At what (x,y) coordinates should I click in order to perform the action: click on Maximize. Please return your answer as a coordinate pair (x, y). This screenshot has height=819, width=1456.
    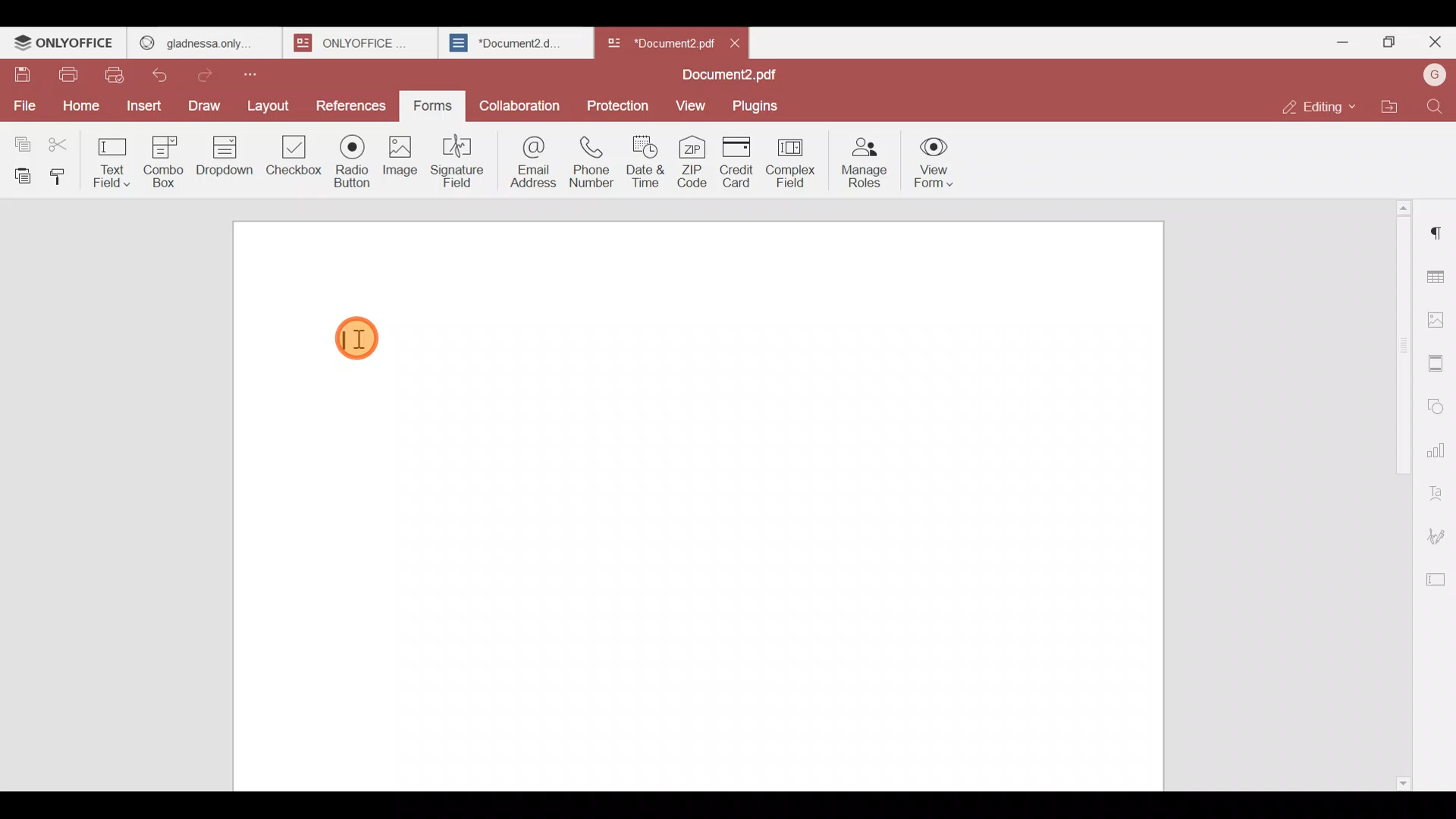
    Looking at the image, I should click on (1392, 42).